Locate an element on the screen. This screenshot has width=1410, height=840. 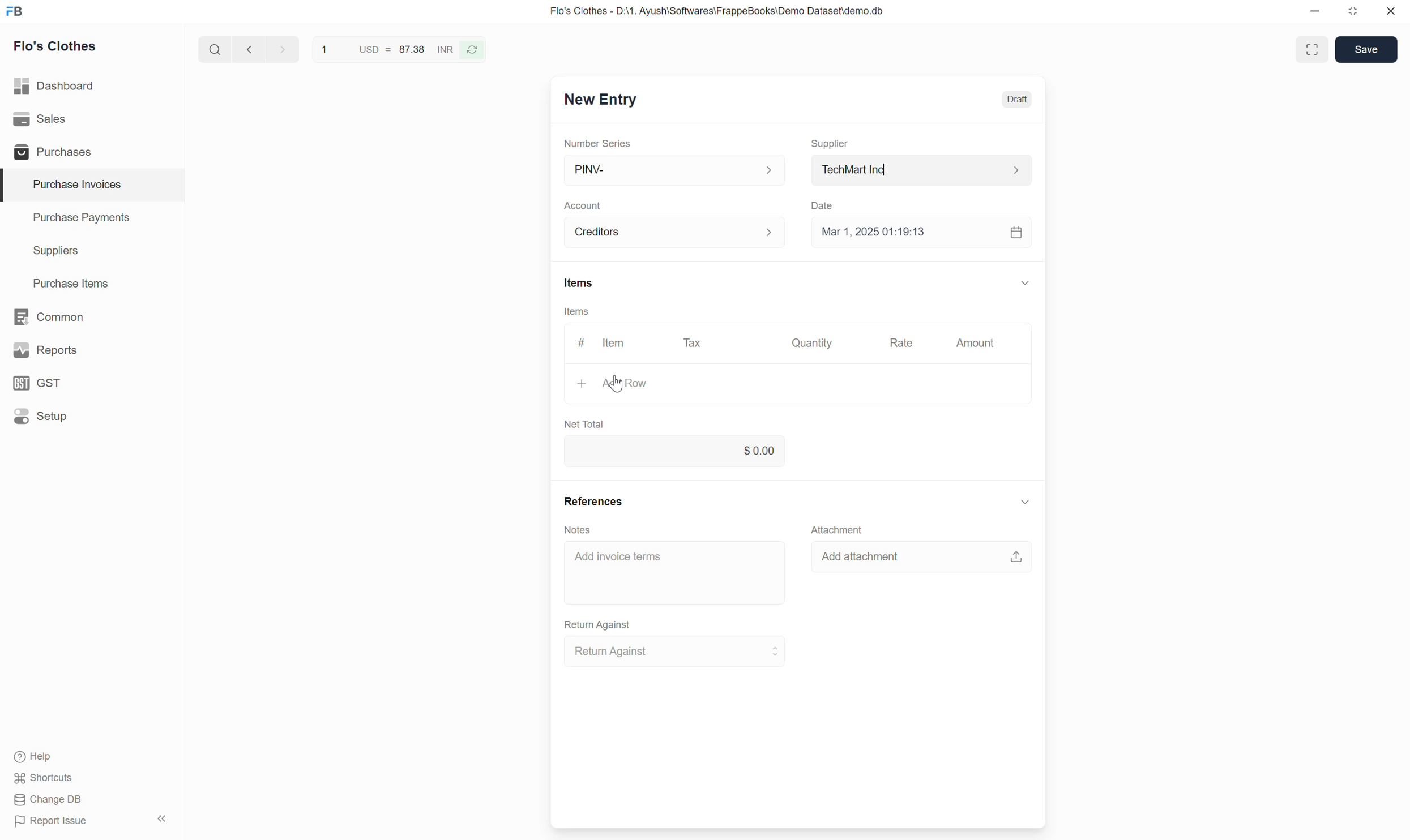
Shortcuts is located at coordinates (45, 779).